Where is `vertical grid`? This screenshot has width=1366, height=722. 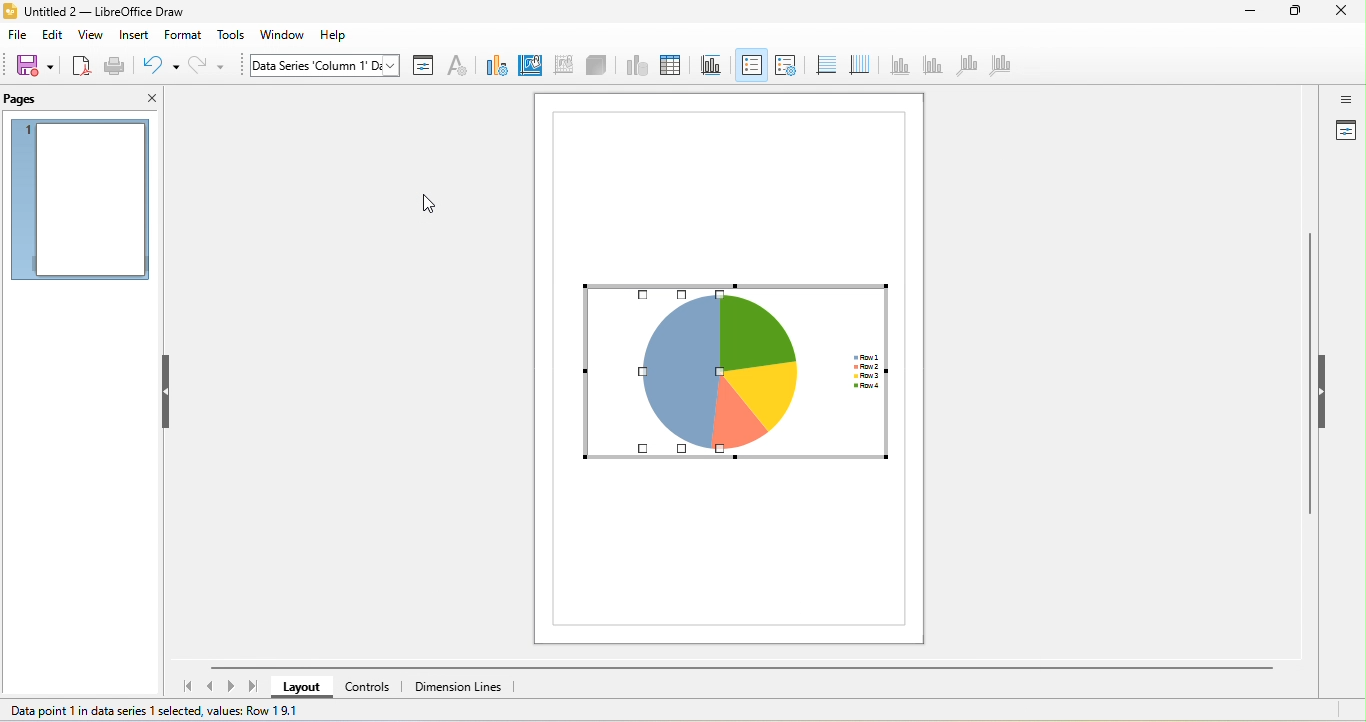 vertical grid is located at coordinates (858, 63).